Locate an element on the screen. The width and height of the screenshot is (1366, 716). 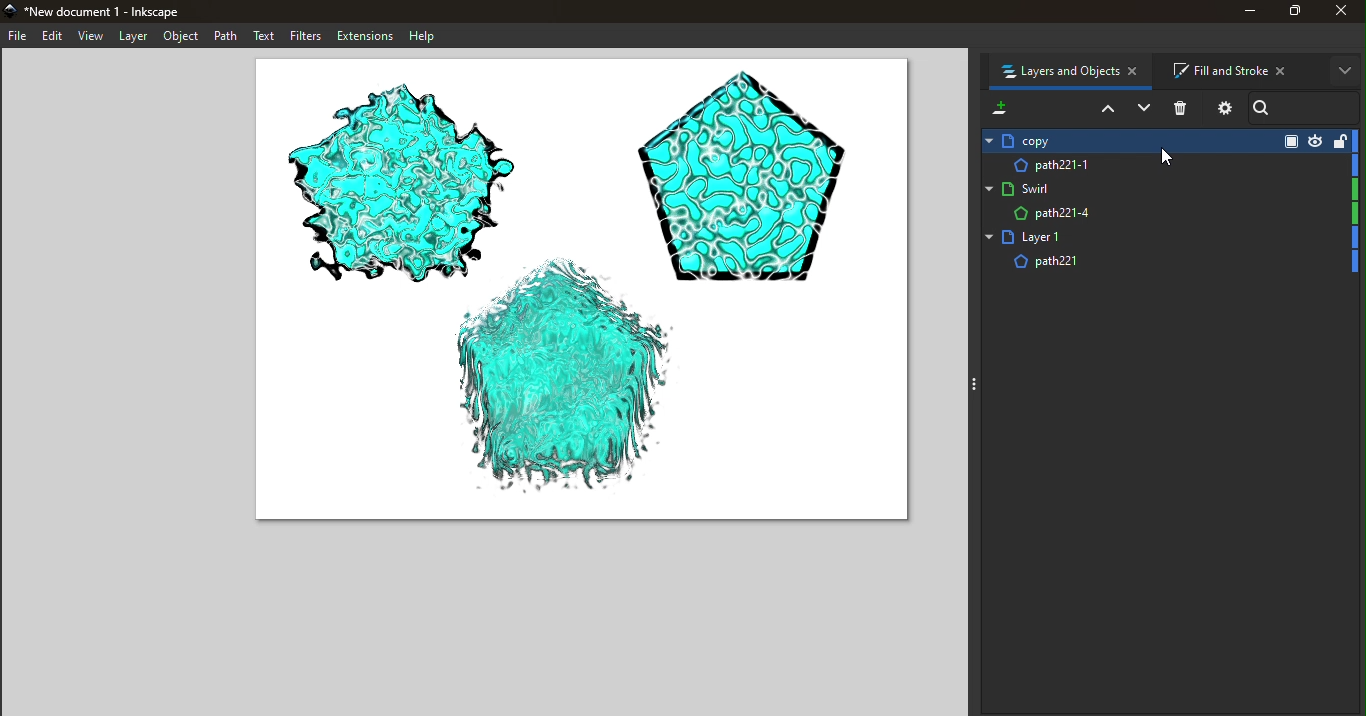
Layer is located at coordinates (136, 38).